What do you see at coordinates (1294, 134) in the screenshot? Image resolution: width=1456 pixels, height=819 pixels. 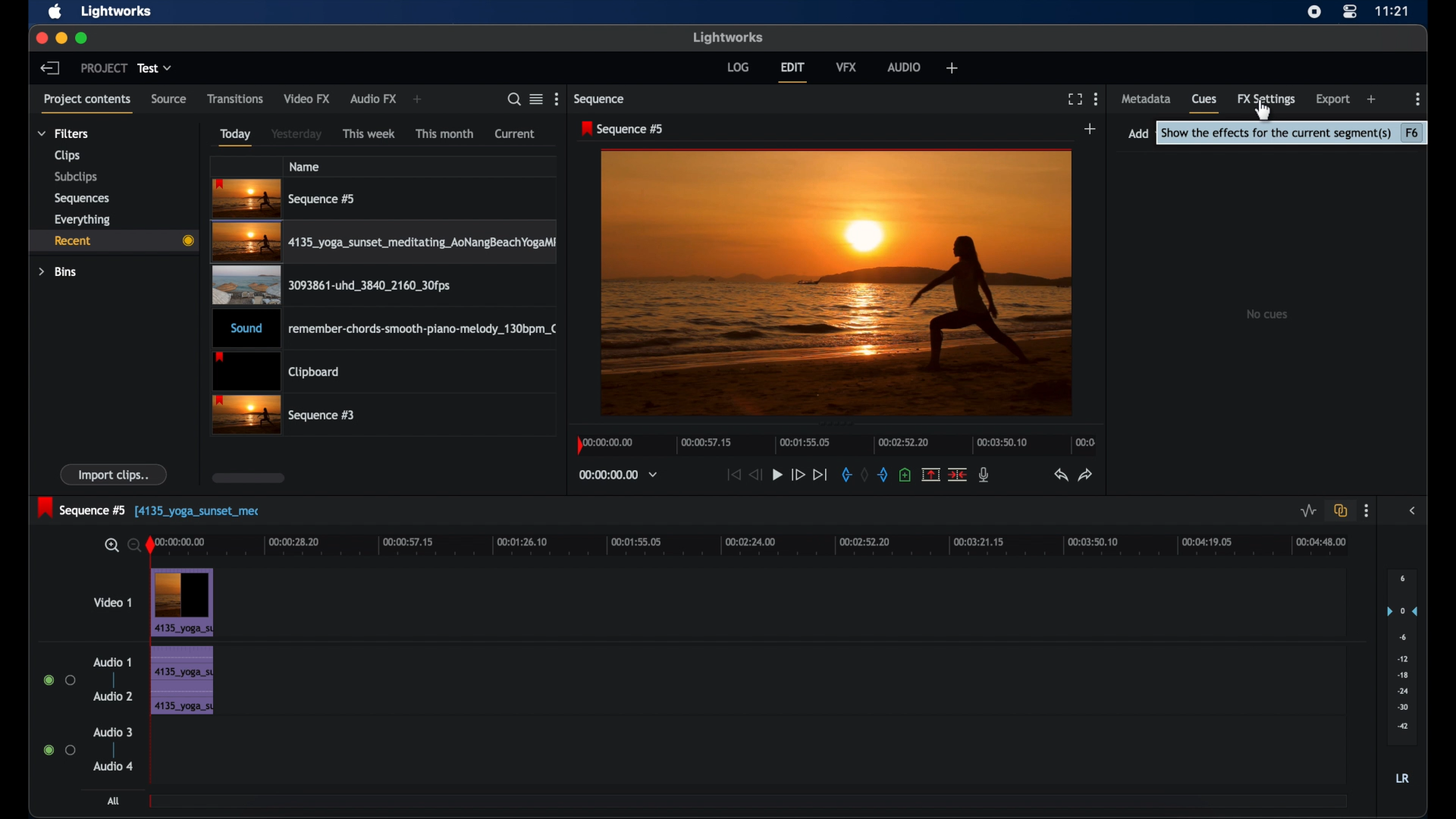 I see `tooltip` at bounding box center [1294, 134].